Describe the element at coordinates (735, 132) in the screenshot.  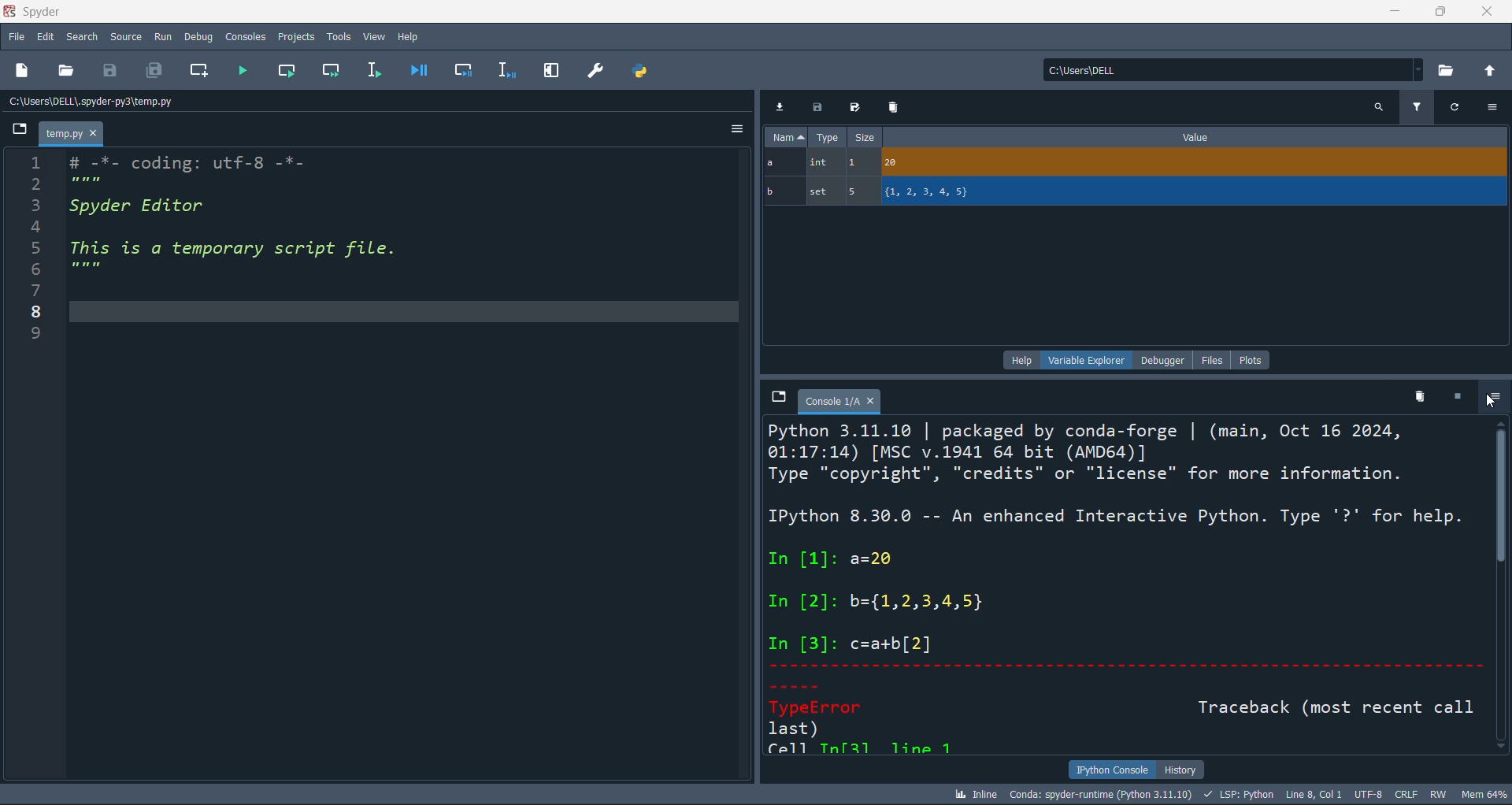
I see `options` at that location.